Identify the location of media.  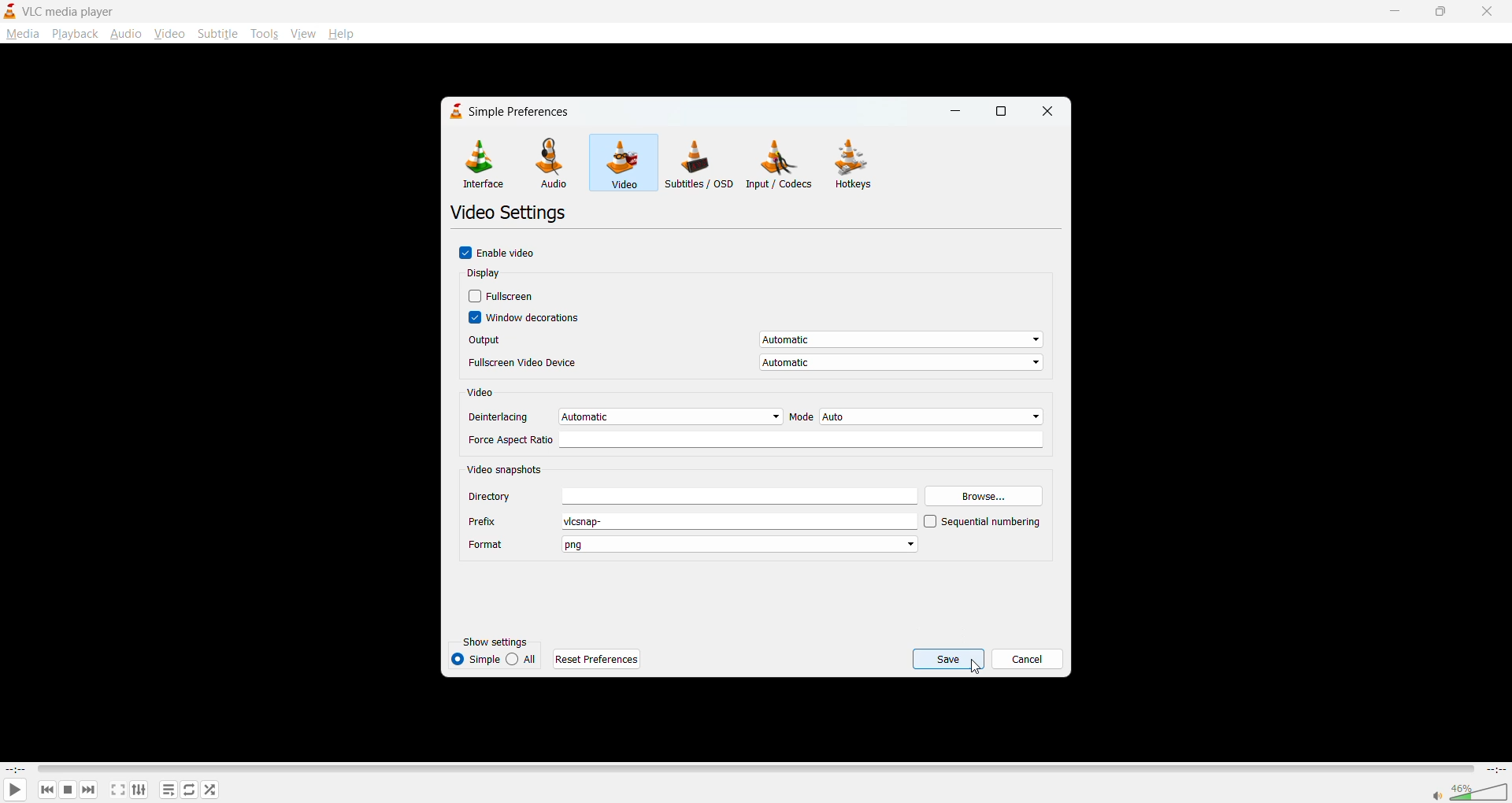
(22, 33).